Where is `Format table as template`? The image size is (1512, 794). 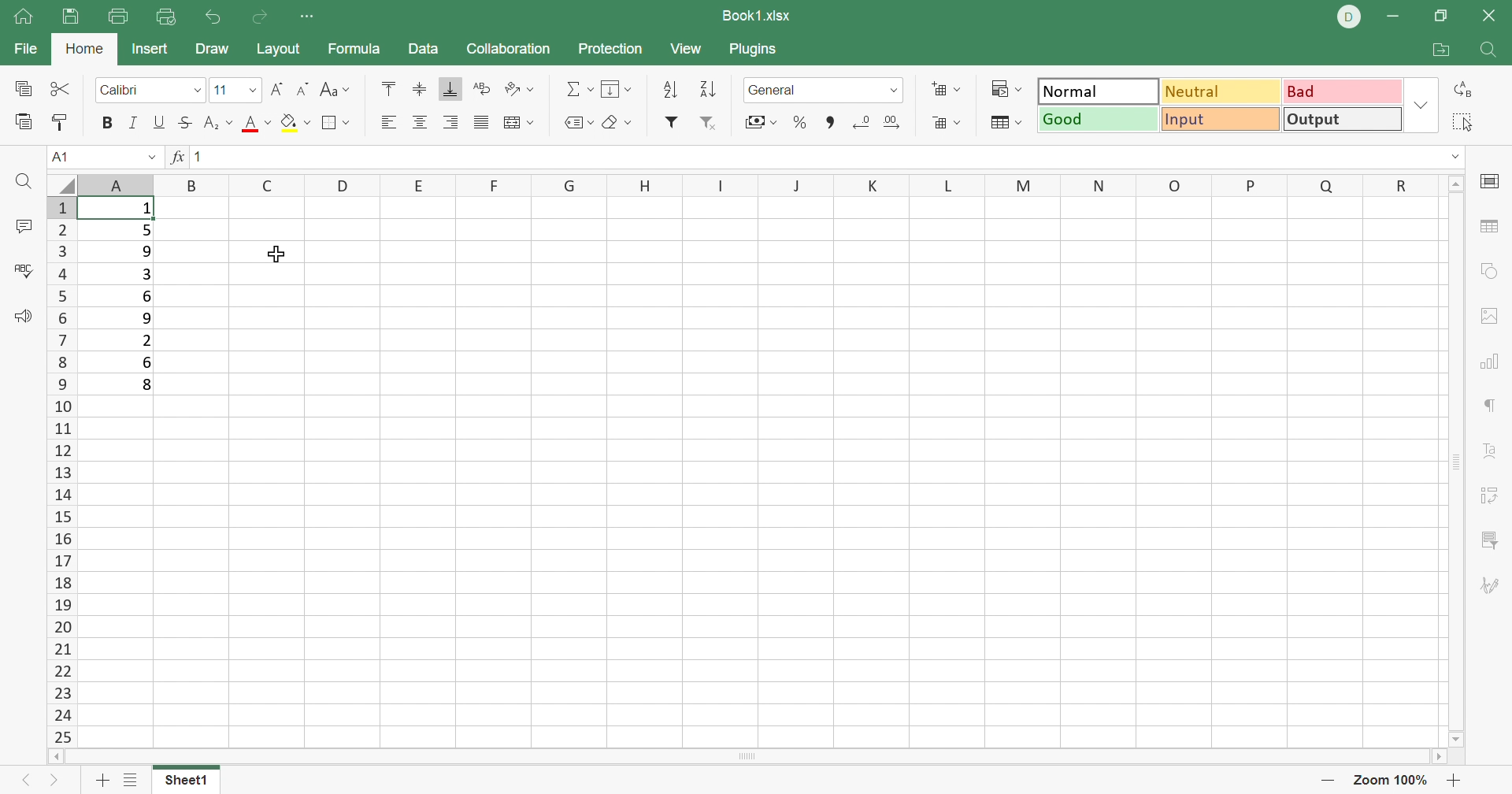
Format table as template is located at coordinates (1005, 124).